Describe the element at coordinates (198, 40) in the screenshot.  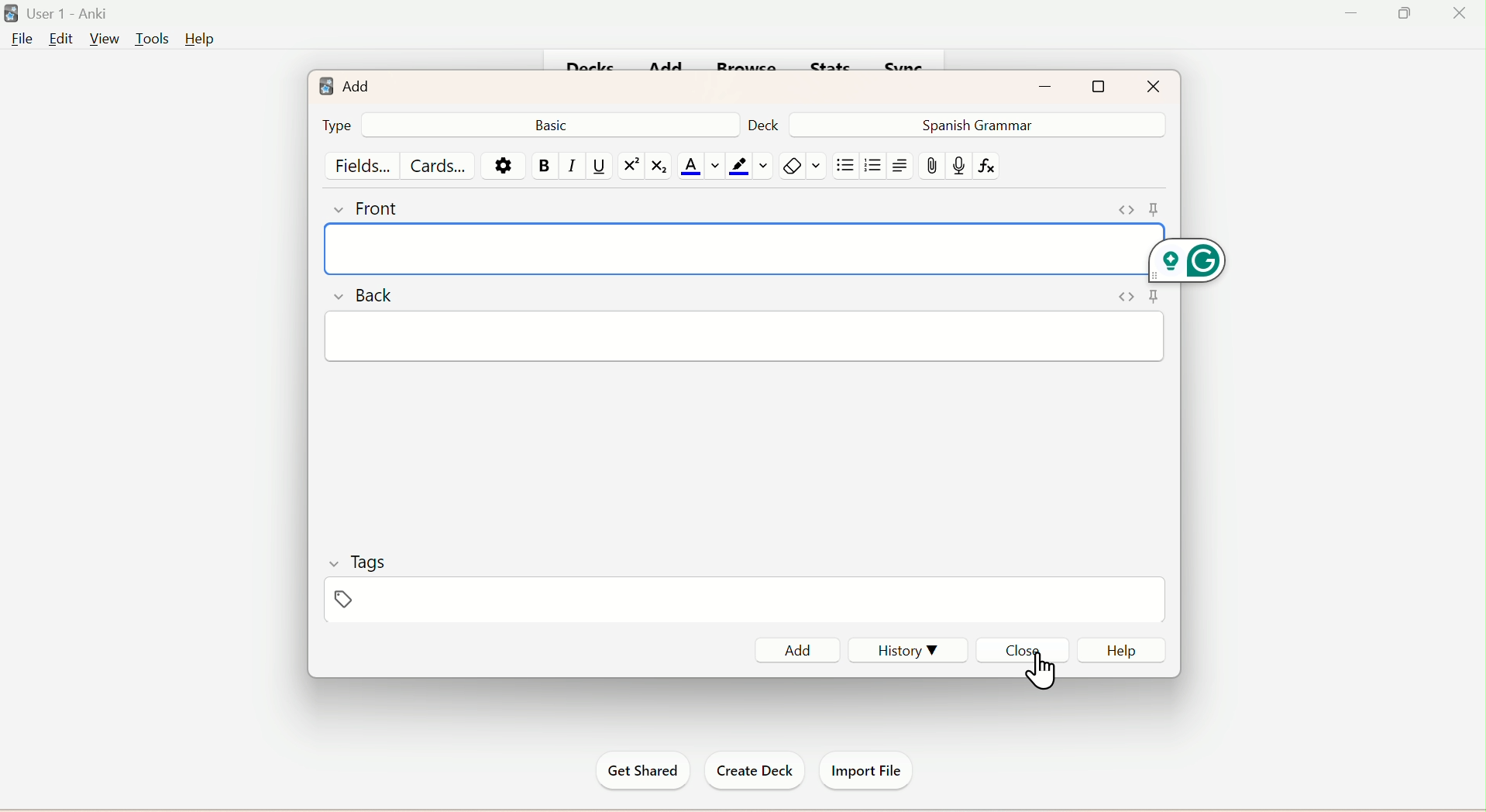
I see `Help` at that location.